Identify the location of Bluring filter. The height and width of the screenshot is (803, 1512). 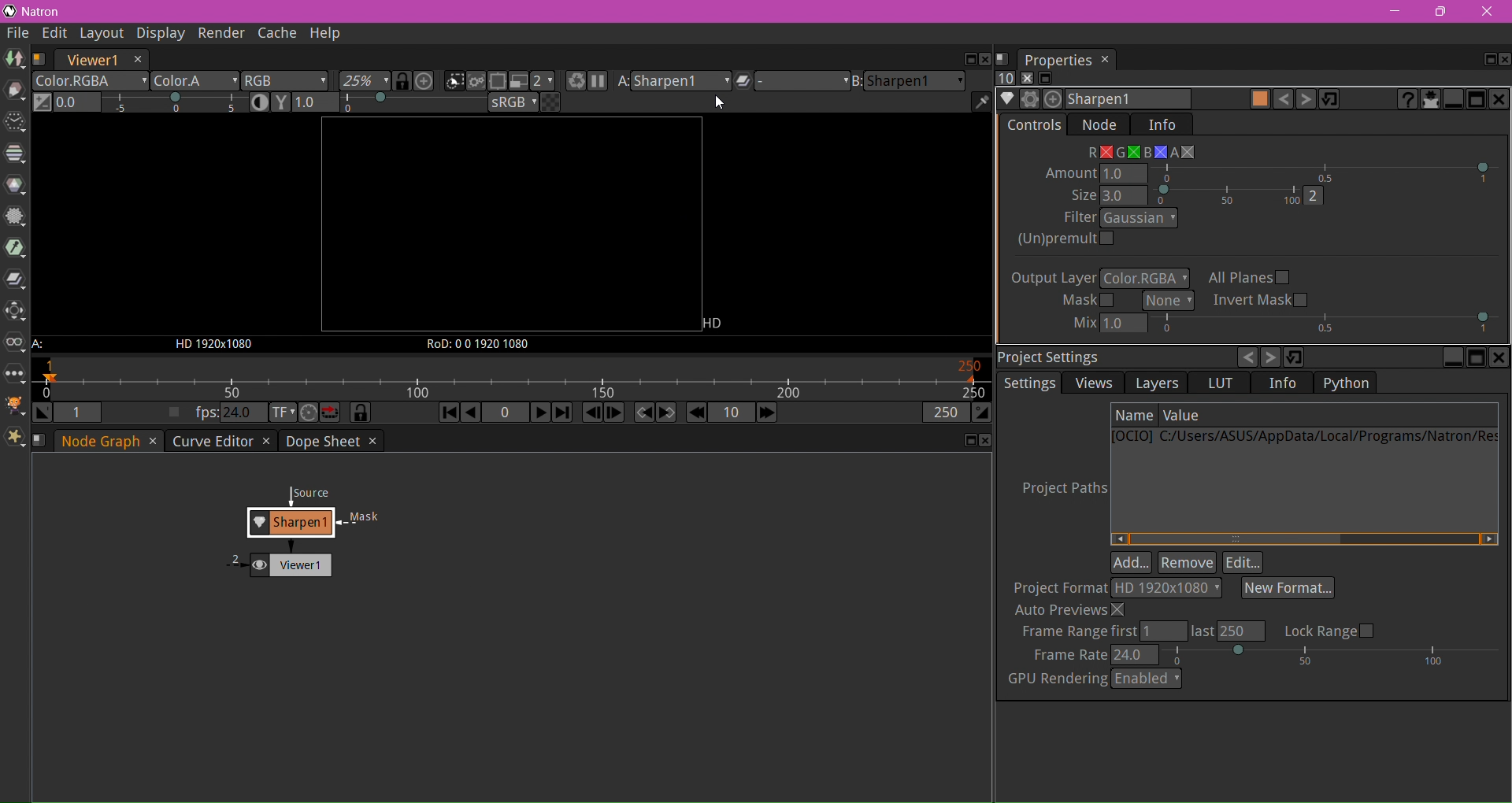
(1119, 219).